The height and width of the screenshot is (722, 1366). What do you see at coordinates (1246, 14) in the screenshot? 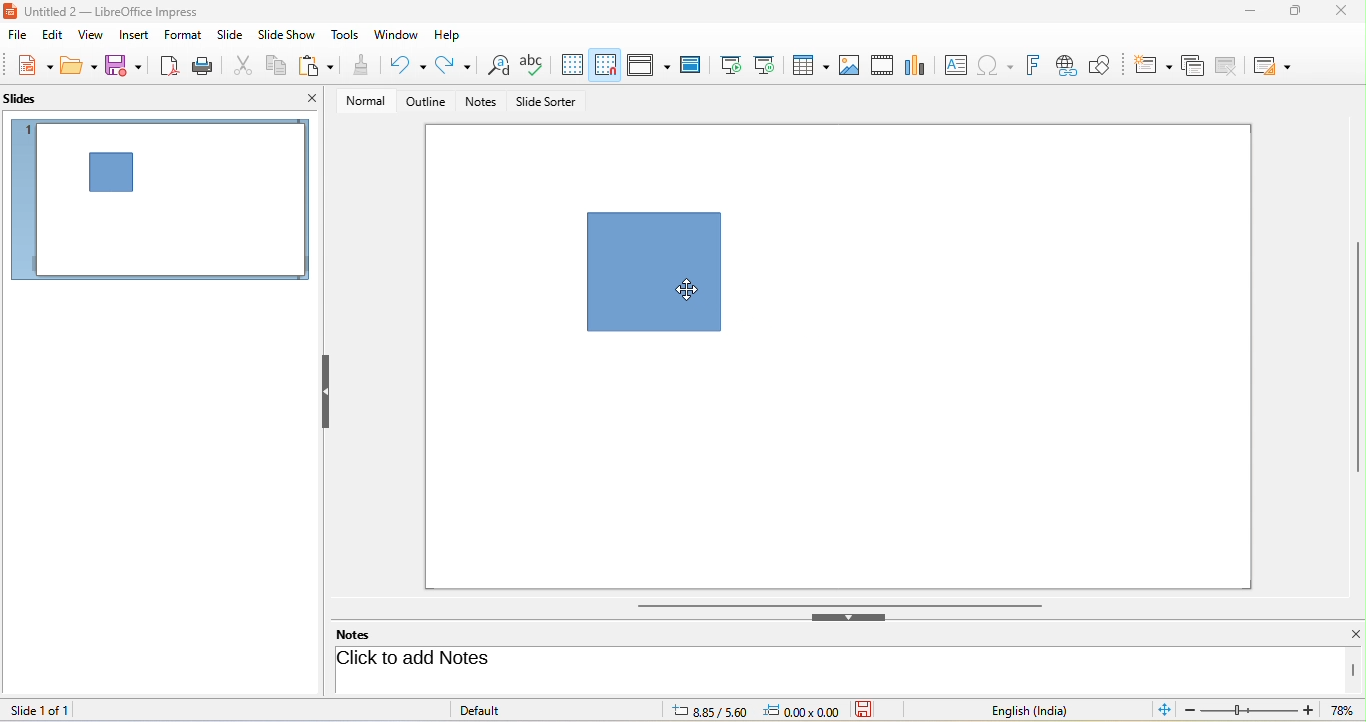
I see `minimize` at bounding box center [1246, 14].